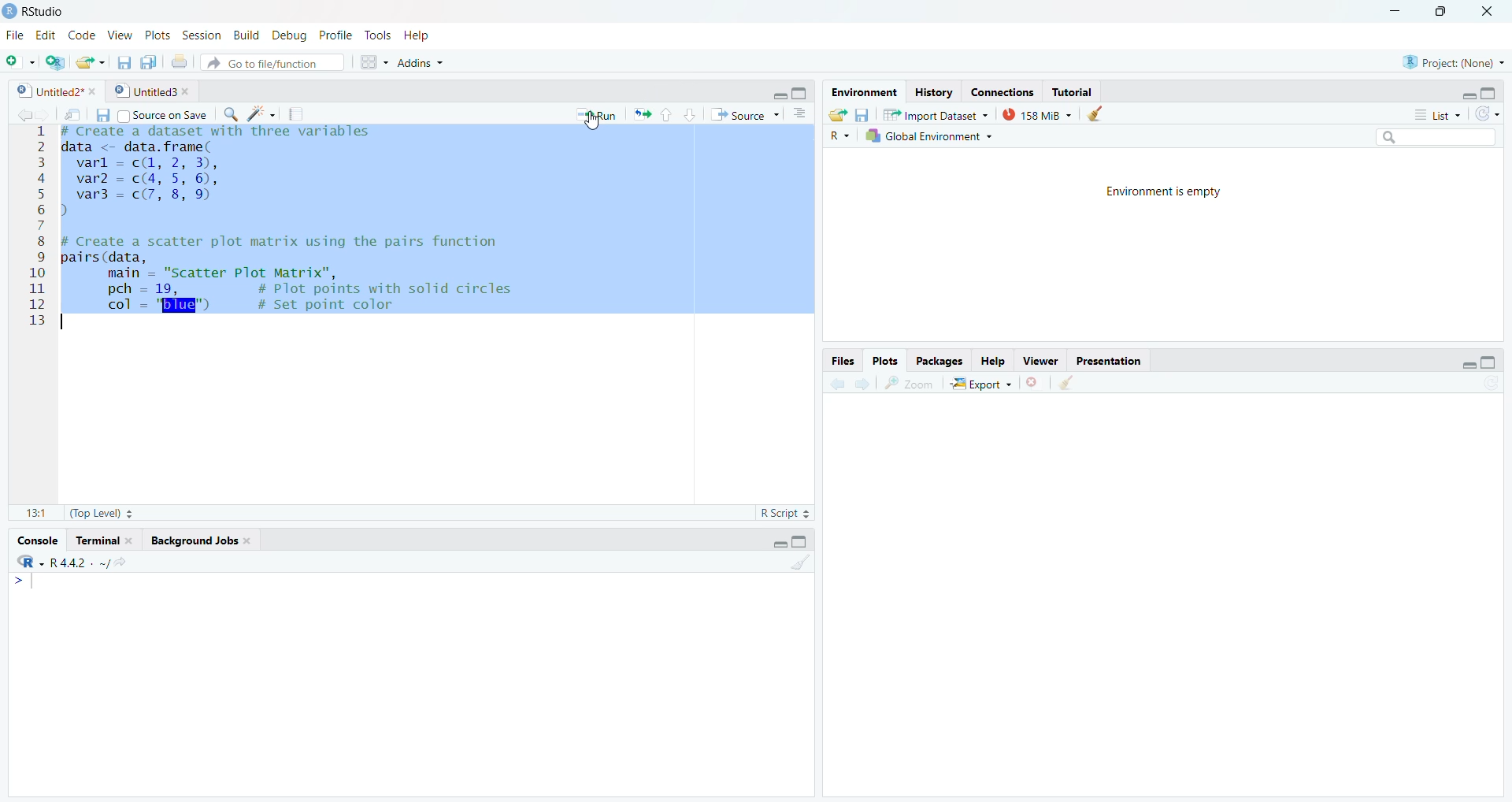 Image resolution: width=1512 pixels, height=802 pixels. Describe the element at coordinates (1041, 362) in the screenshot. I see ` Viewer` at that location.